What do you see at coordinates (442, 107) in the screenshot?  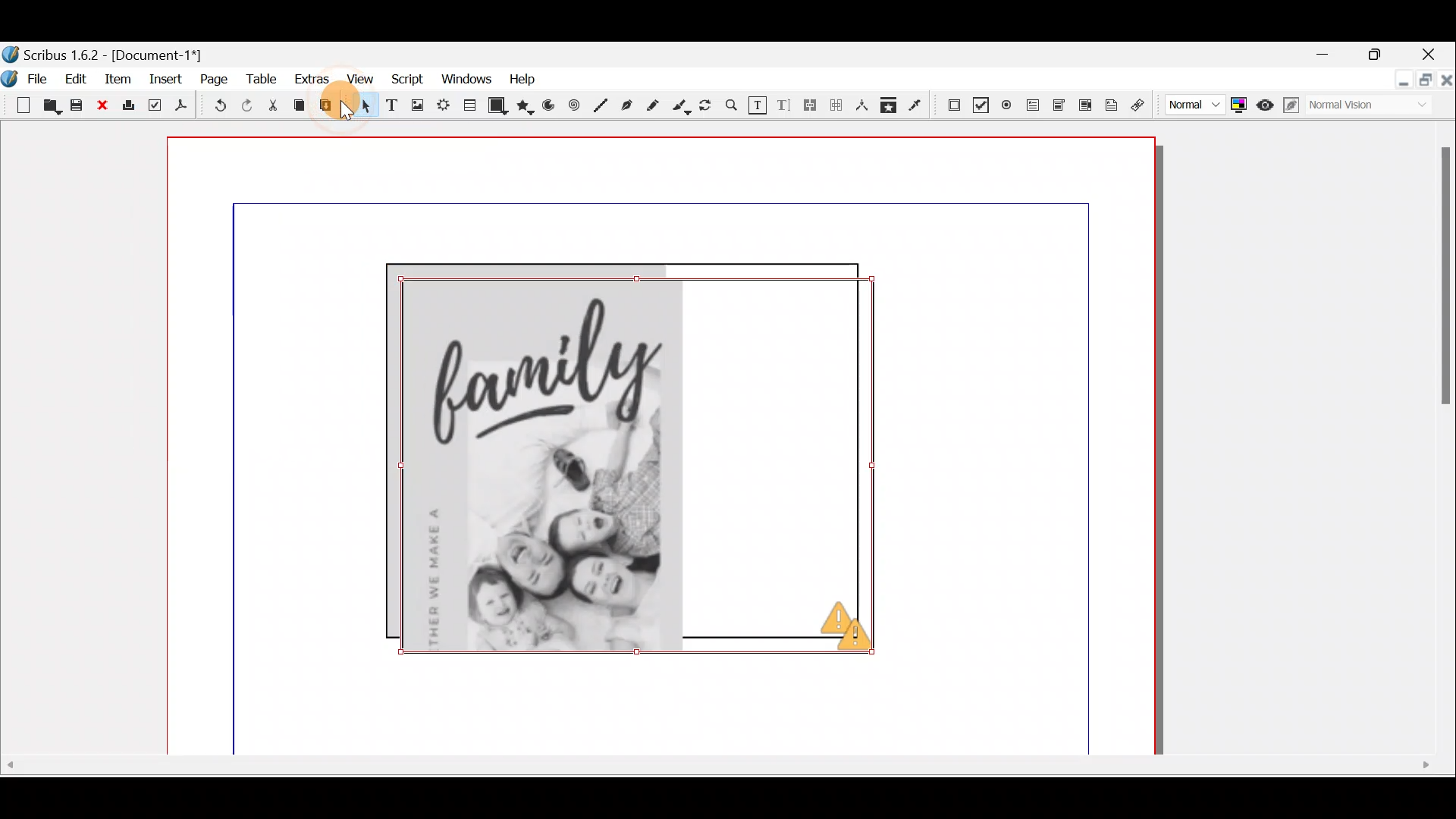 I see `Render frame` at bounding box center [442, 107].